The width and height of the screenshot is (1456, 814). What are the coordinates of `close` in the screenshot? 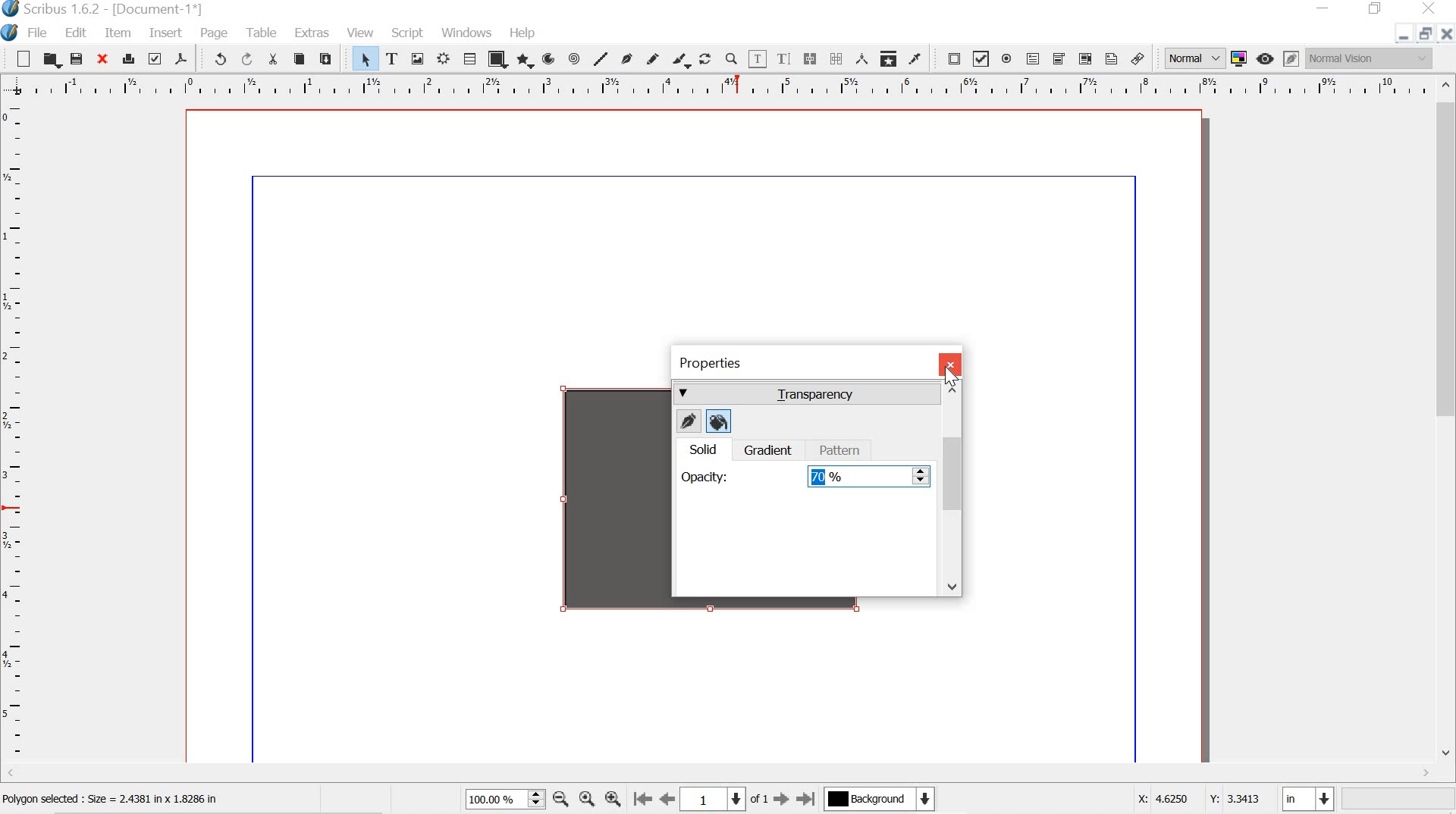 It's located at (949, 364).